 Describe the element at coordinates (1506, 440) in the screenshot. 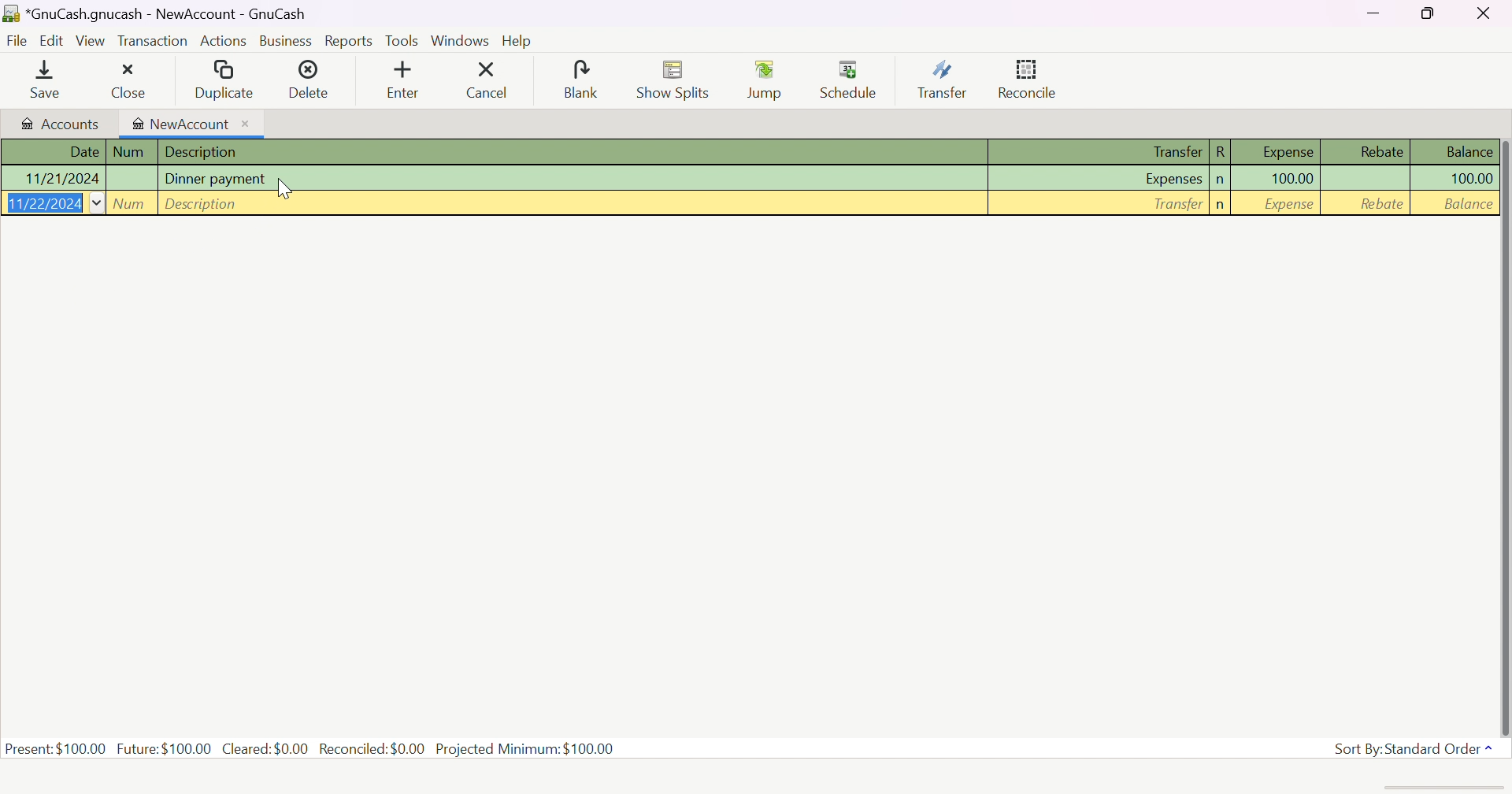

I see `Vertical slide bar` at that location.